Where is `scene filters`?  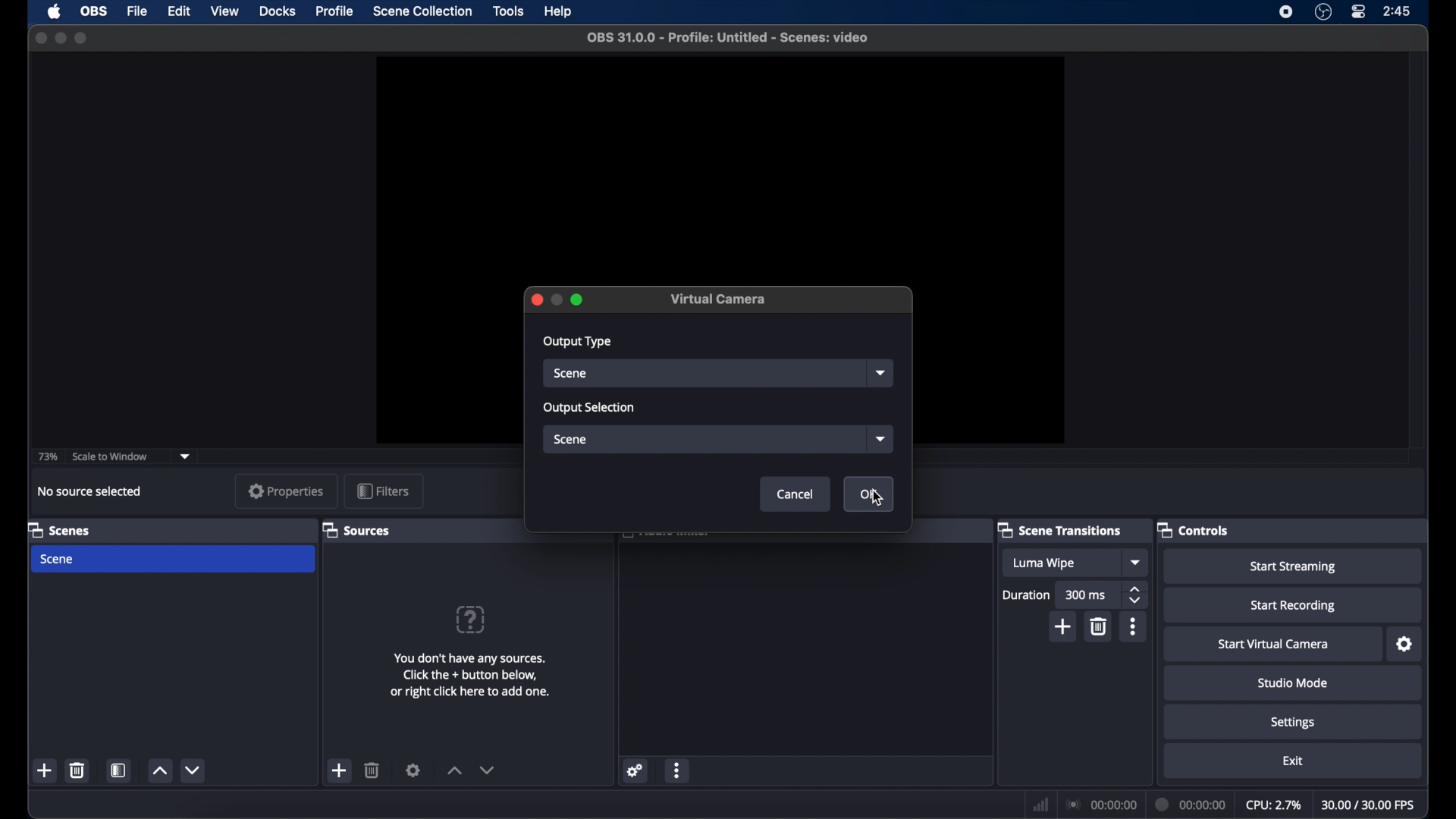 scene filters is located at coordinates (119, 770).